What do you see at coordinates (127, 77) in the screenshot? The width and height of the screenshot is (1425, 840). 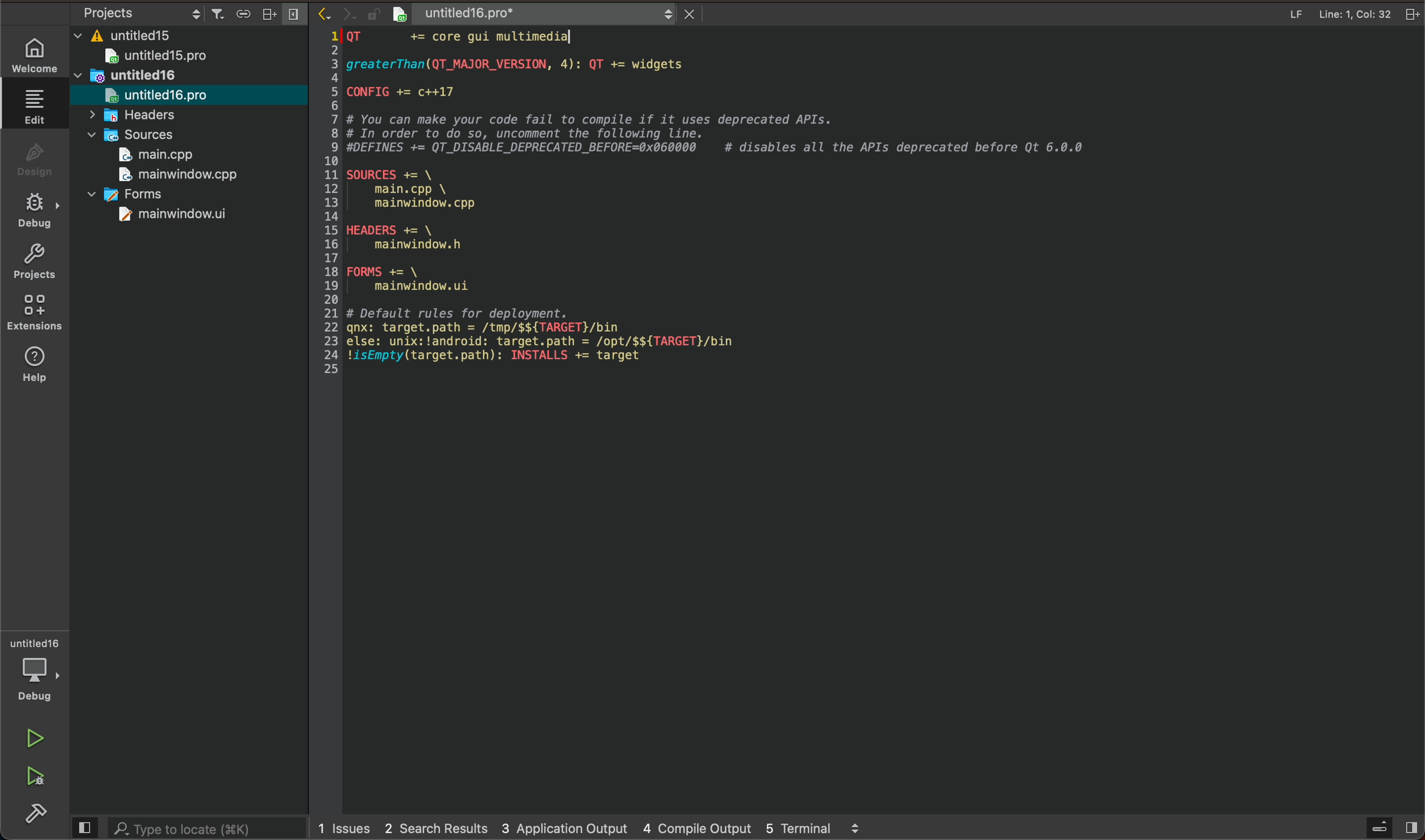 I see `untitled16` at bounding box center [127, 77].